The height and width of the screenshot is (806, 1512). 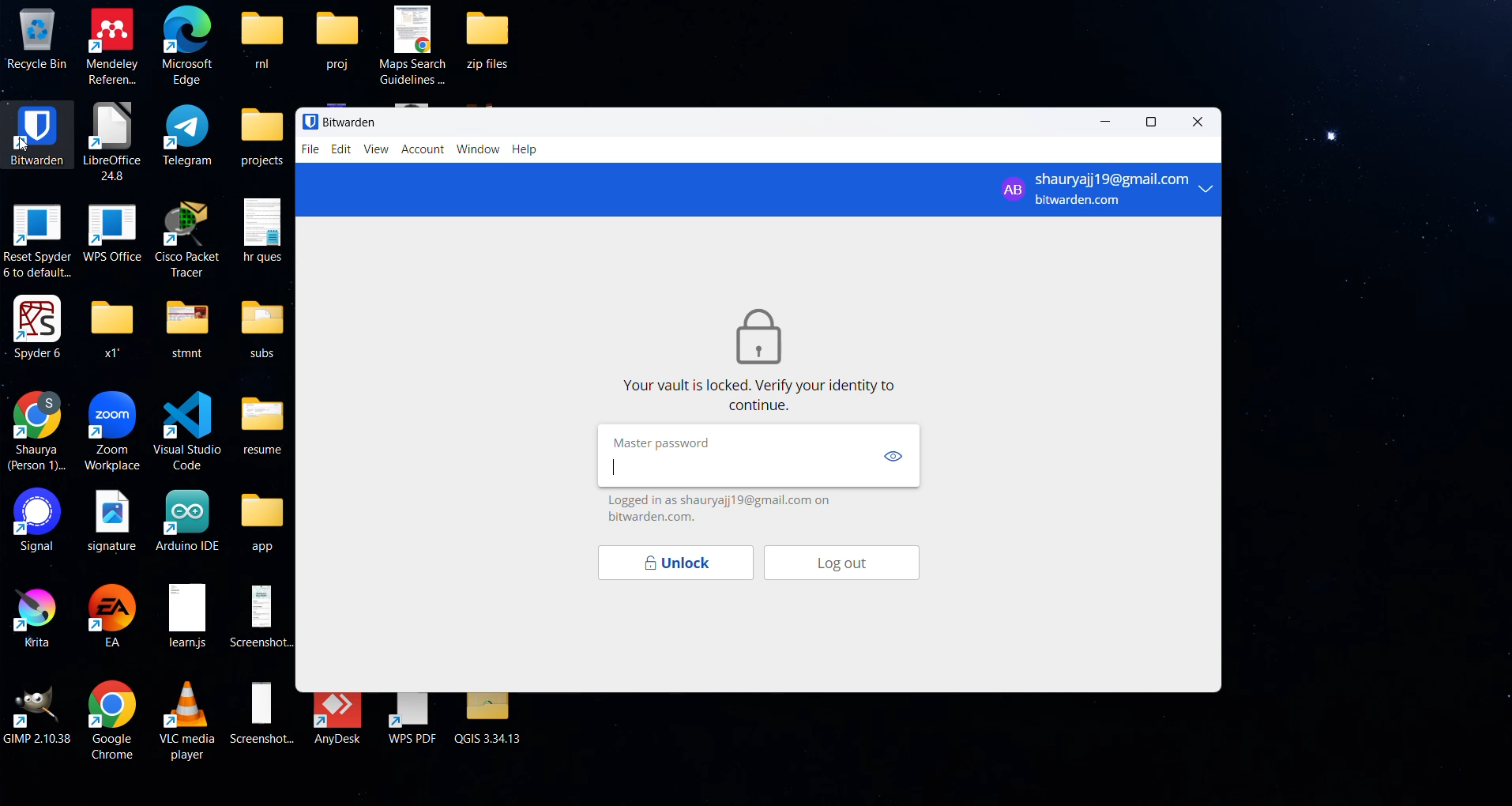 What do you see at coordinates (376, 151) in the screenshot?
I see `view` at bounding box center [376, 151].